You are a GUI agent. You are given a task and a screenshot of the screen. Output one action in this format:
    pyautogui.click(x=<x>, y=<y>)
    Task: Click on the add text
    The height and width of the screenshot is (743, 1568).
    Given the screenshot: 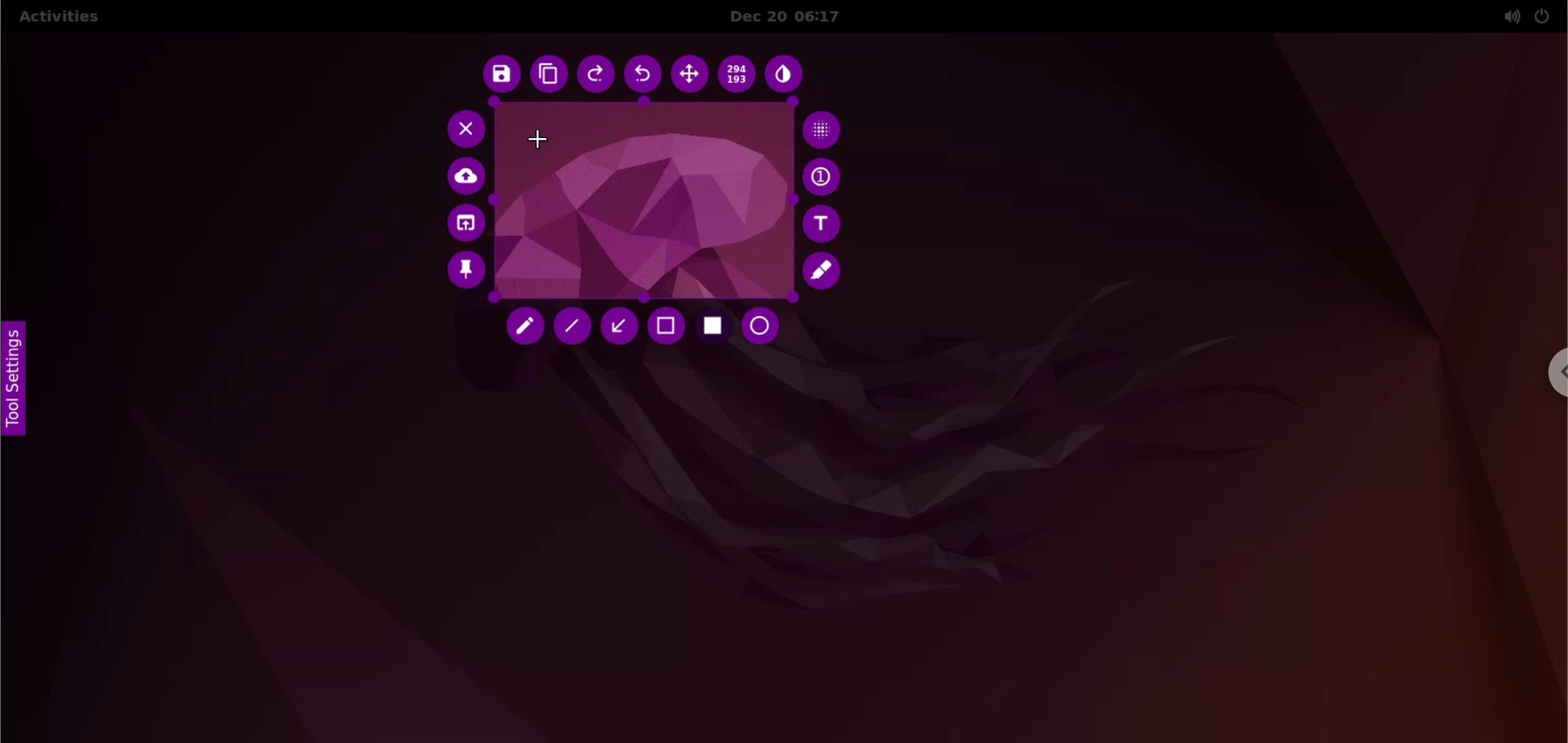 What is the action you would take?
    pyautogui.click(x=824, y=224)
    